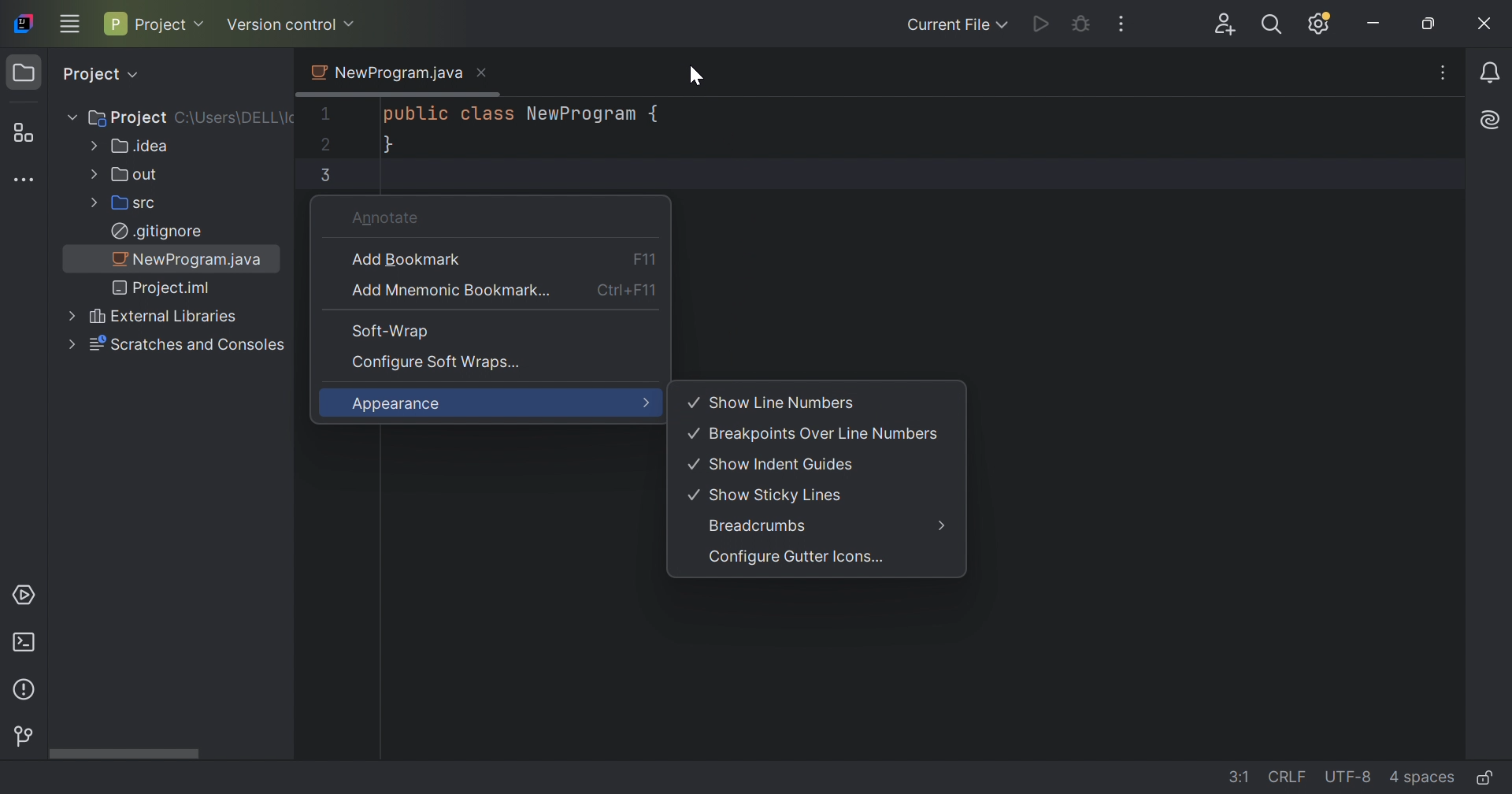 Image resolution: width=1512 pixels, height=794 pixels. What do you see at coordinates (1123, 25) in the screenshot?
I see `More actions` at bounding box center [1123, 25].